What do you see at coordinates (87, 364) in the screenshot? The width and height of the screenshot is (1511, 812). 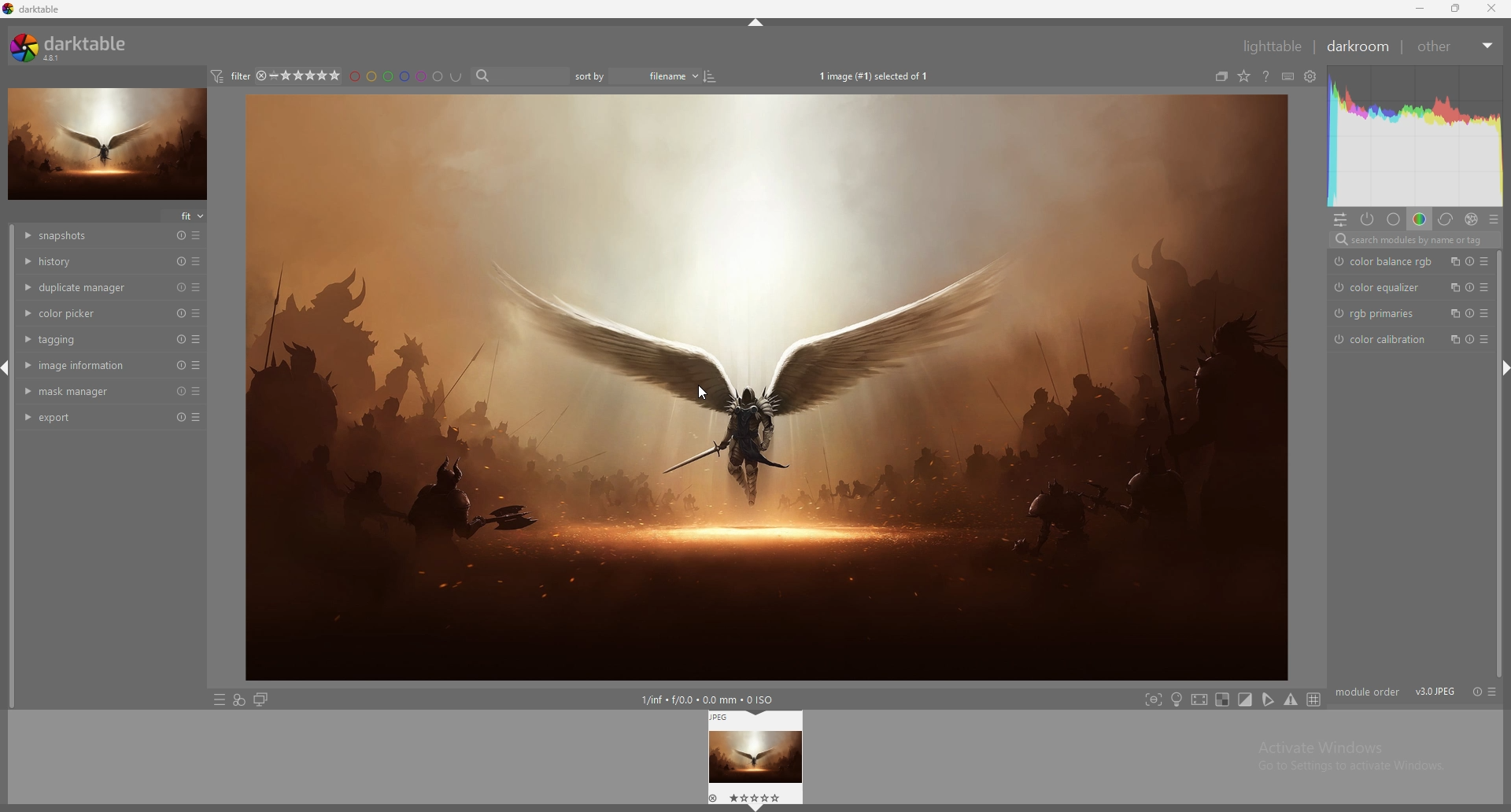 I see `image information` at bounding box center [87, 364].